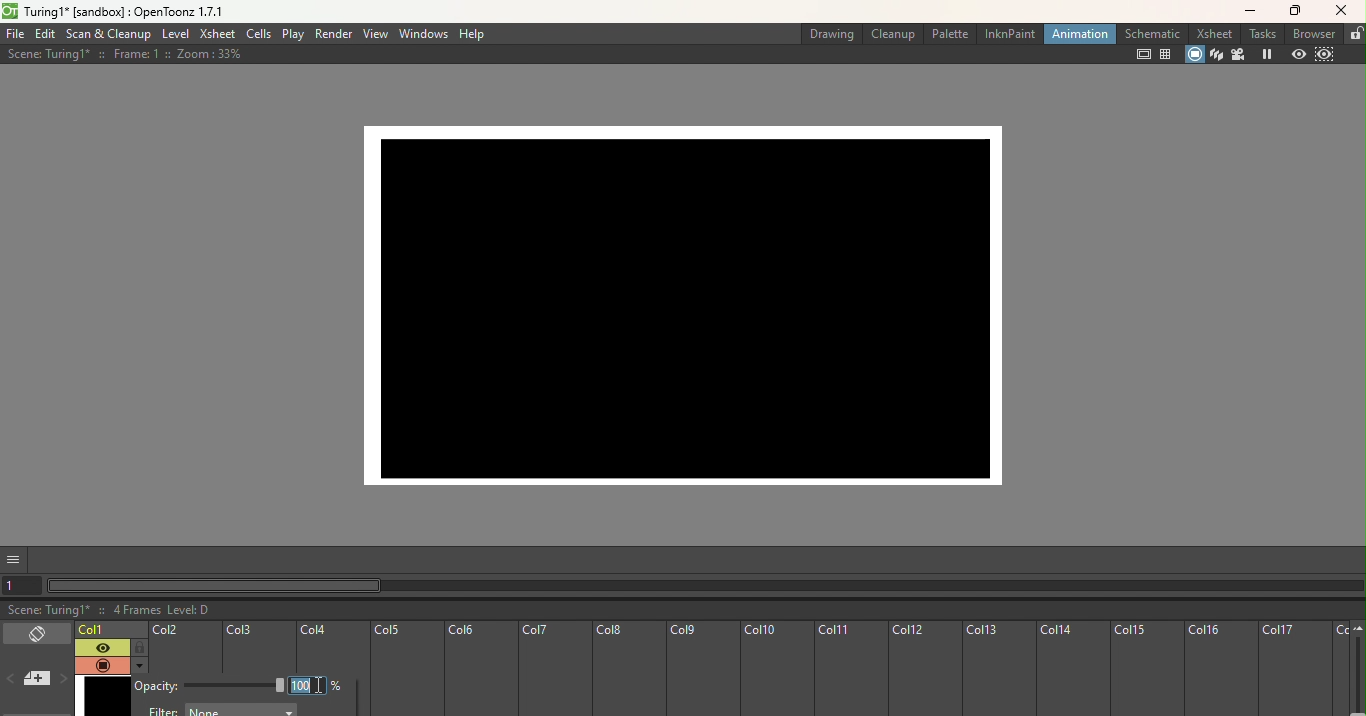 The height and width of the screenshot is (716, 1366). I want to click on Col14, so click(1072, 669).